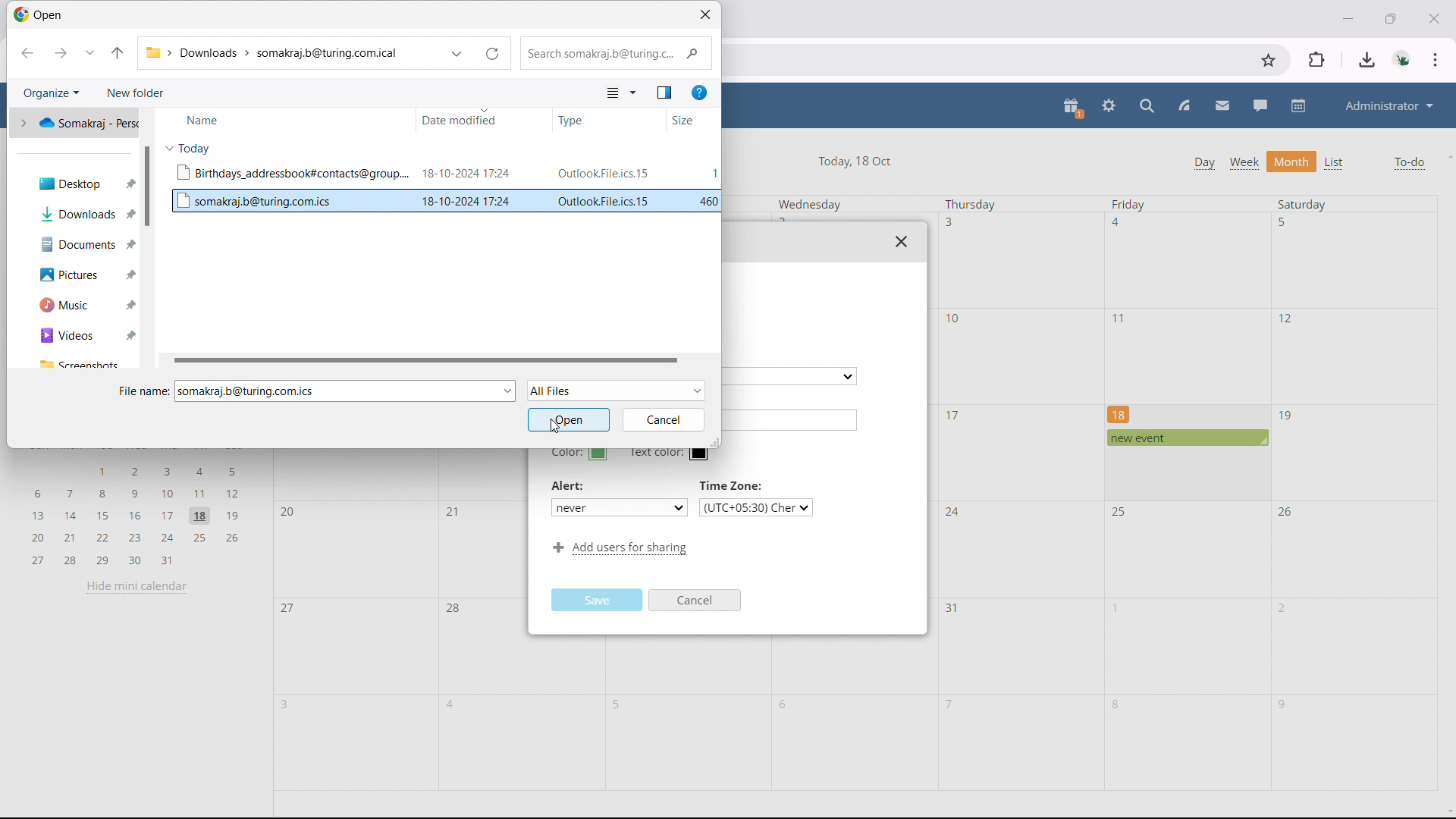  What do you see at coordinates (1432, 17) in the screenshot?
I see `close` at bounding box center [1432, 17].